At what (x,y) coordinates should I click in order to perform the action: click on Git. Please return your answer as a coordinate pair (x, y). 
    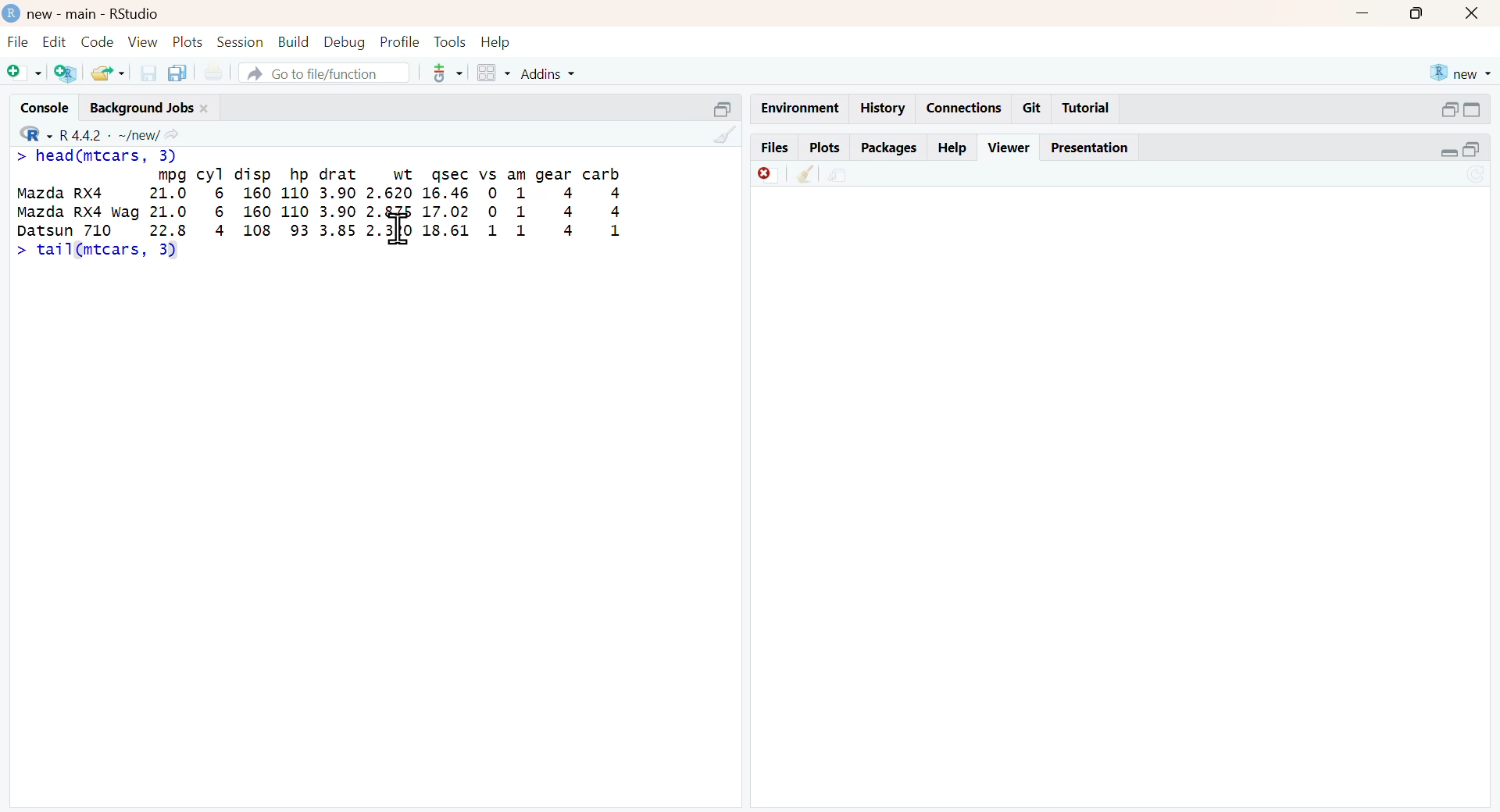
    Looking at the image, I should click on (1033, 107).